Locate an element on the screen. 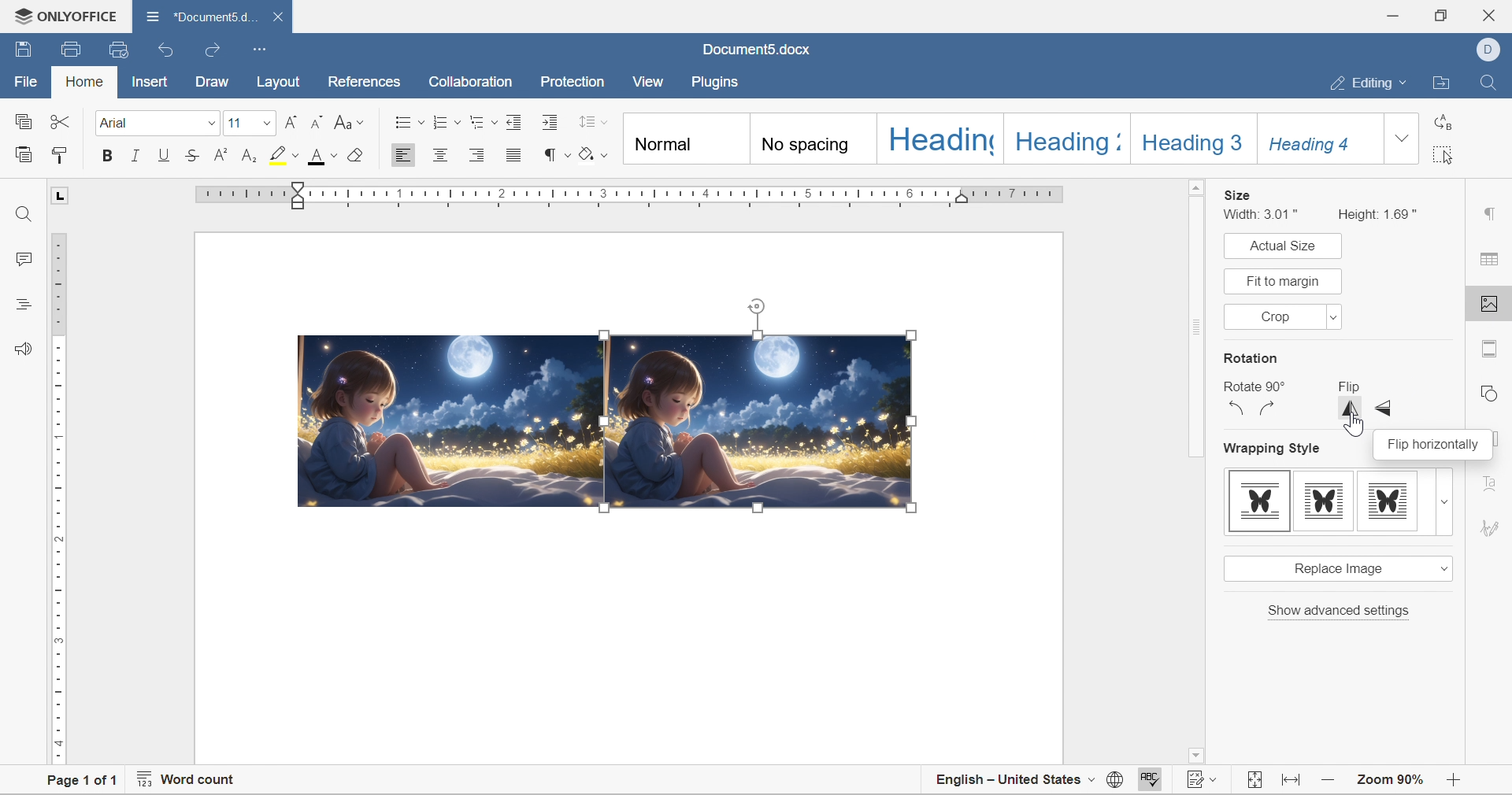  tight is located at coordinates (1388, 501).